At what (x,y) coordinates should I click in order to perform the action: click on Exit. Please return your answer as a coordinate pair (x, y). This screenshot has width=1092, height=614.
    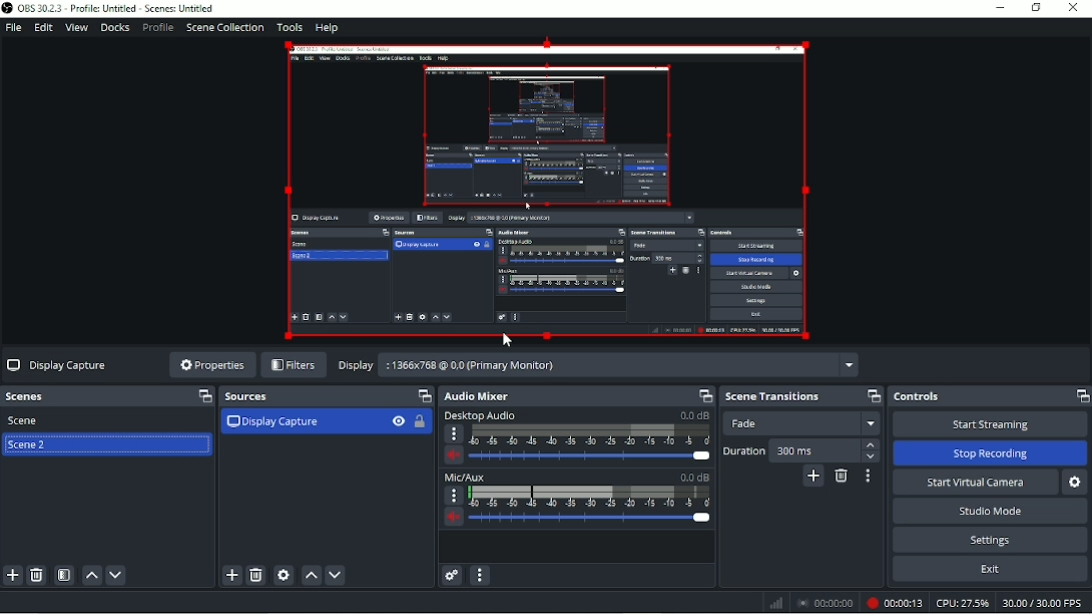
    Looking at the image, I should click on (990, 571).